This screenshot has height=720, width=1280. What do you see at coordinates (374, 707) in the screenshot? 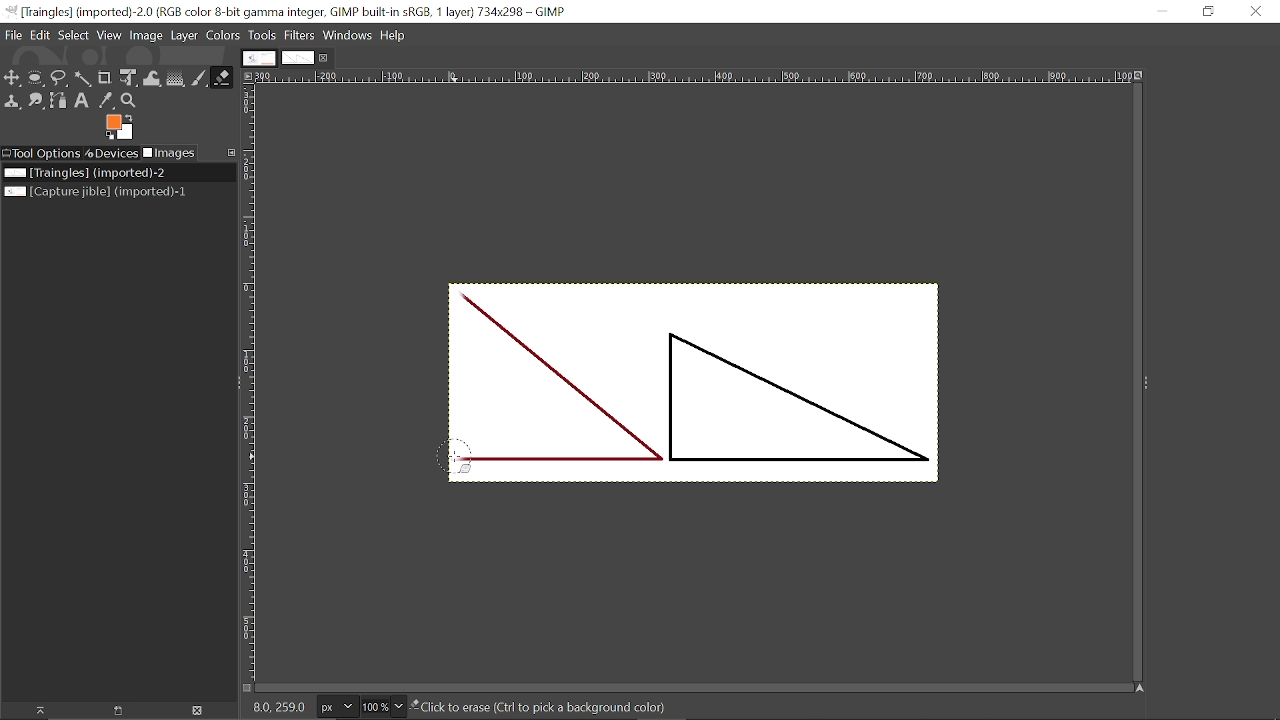
I see `Current zoom` at bounding box center [374, 707].